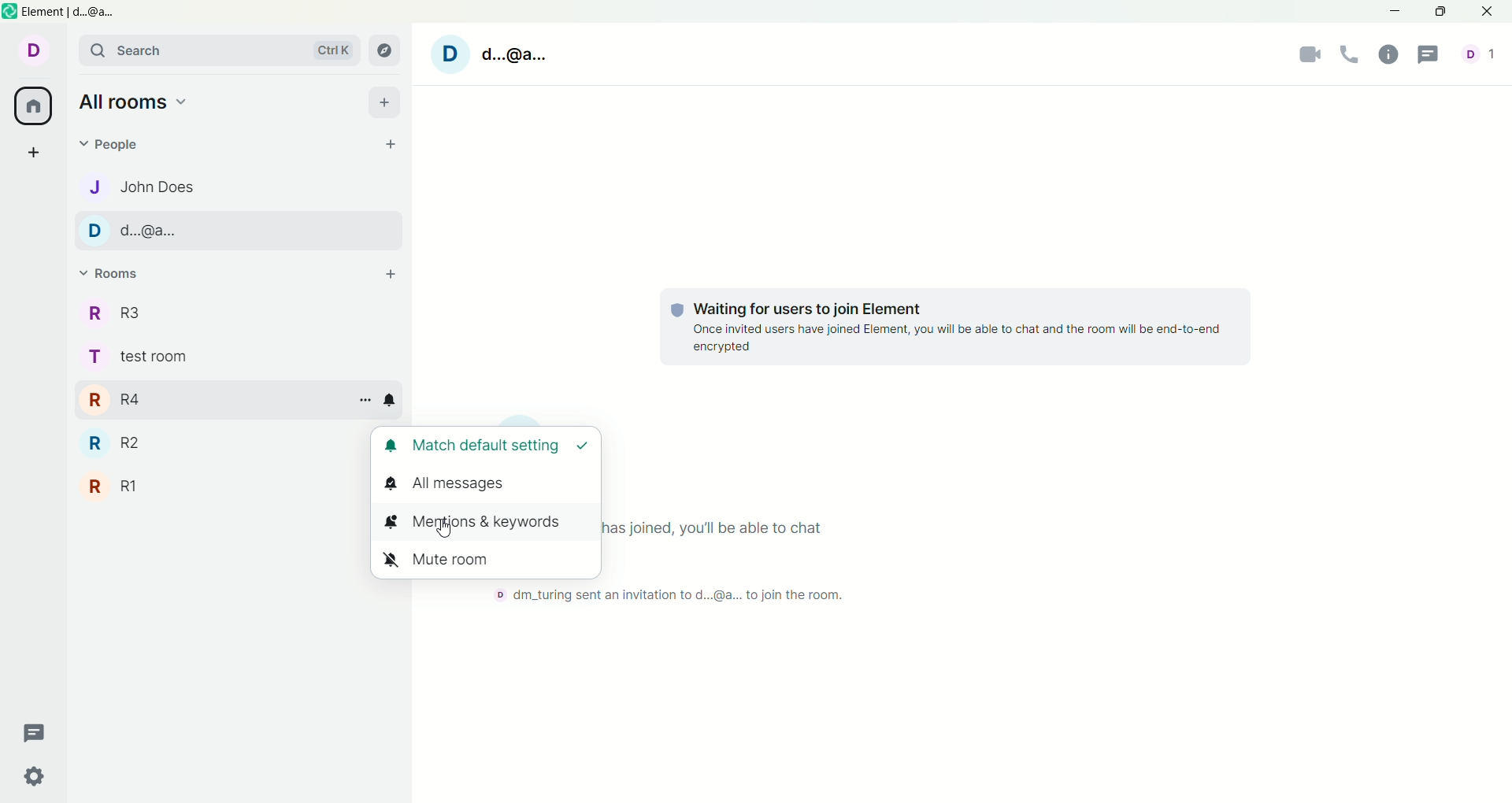 This screenshot has width=1512, height=803. What do you see at coordinates (69, 13) in the screenshot?
I see `Element | d..@a...` at bounding box center [69, 13].